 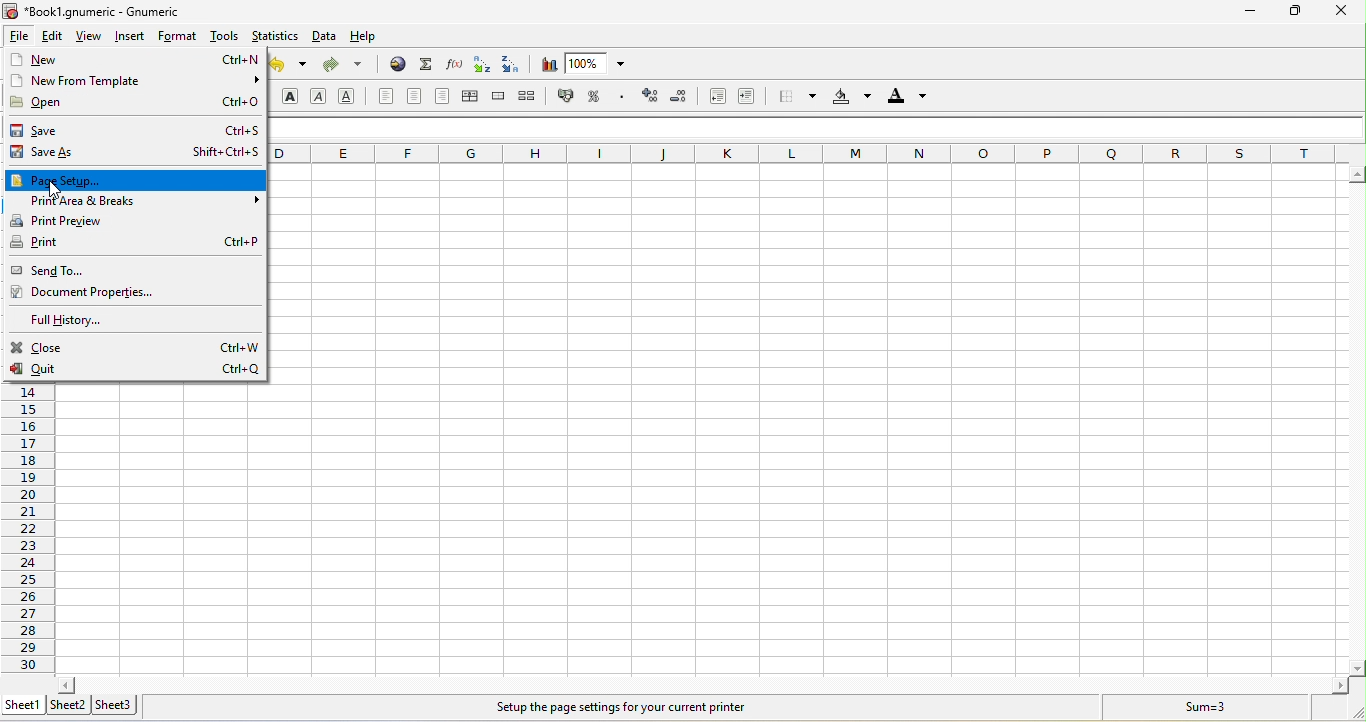 I want to click on insert, so click(x=129, y=37).